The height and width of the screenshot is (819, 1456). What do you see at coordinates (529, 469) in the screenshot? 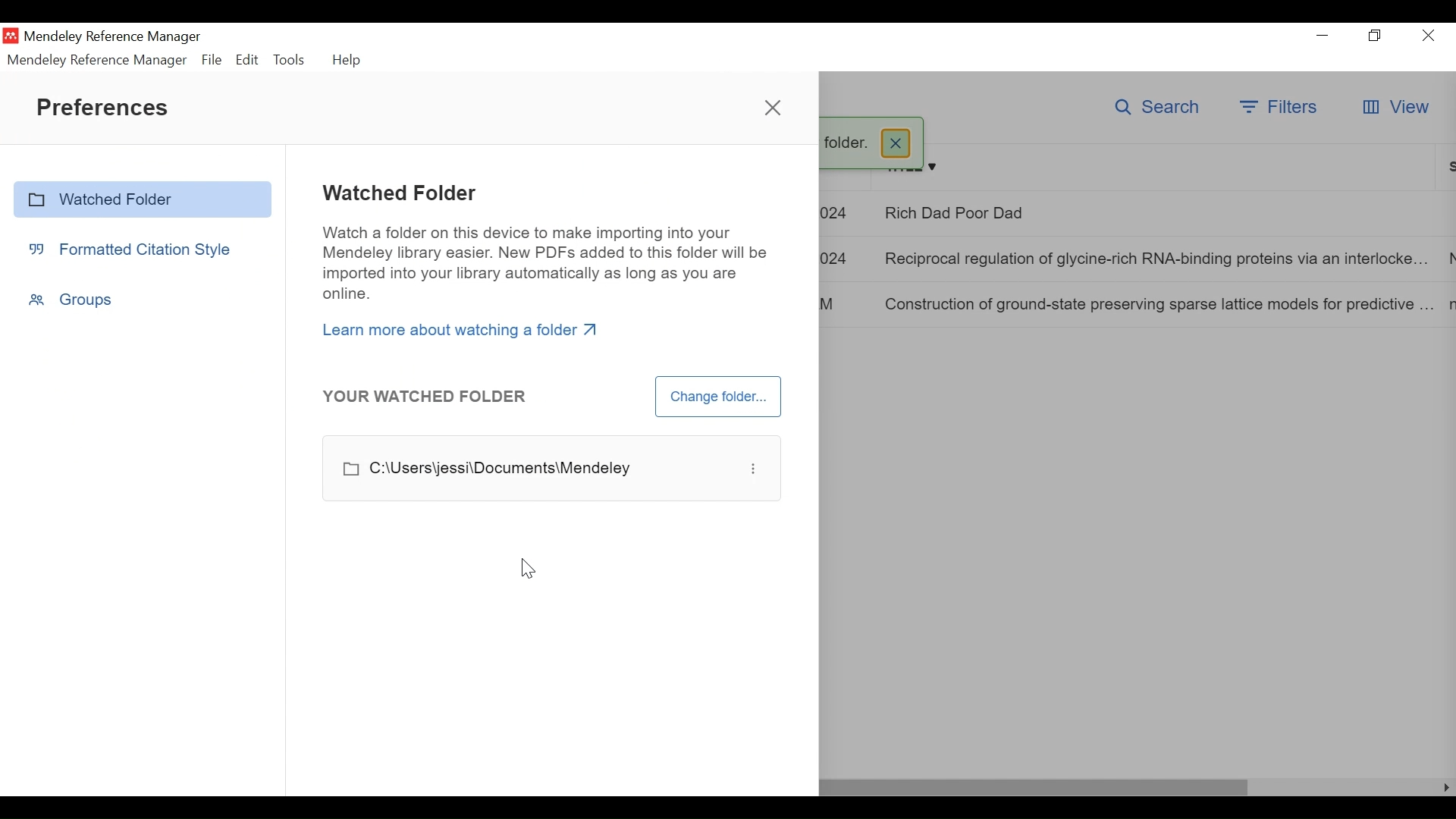
I see `File Path to Watched Folder` at bounding box center [529, 469].